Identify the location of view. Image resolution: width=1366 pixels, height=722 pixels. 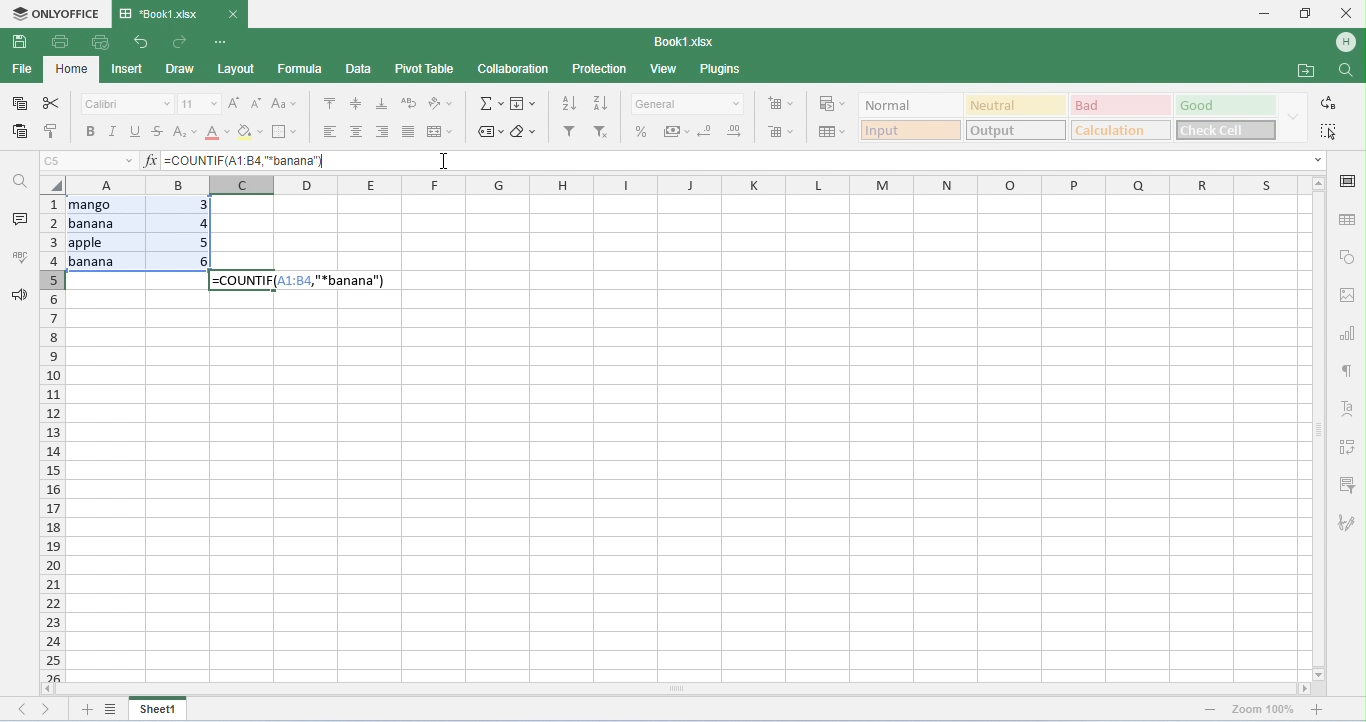
(663, 70).